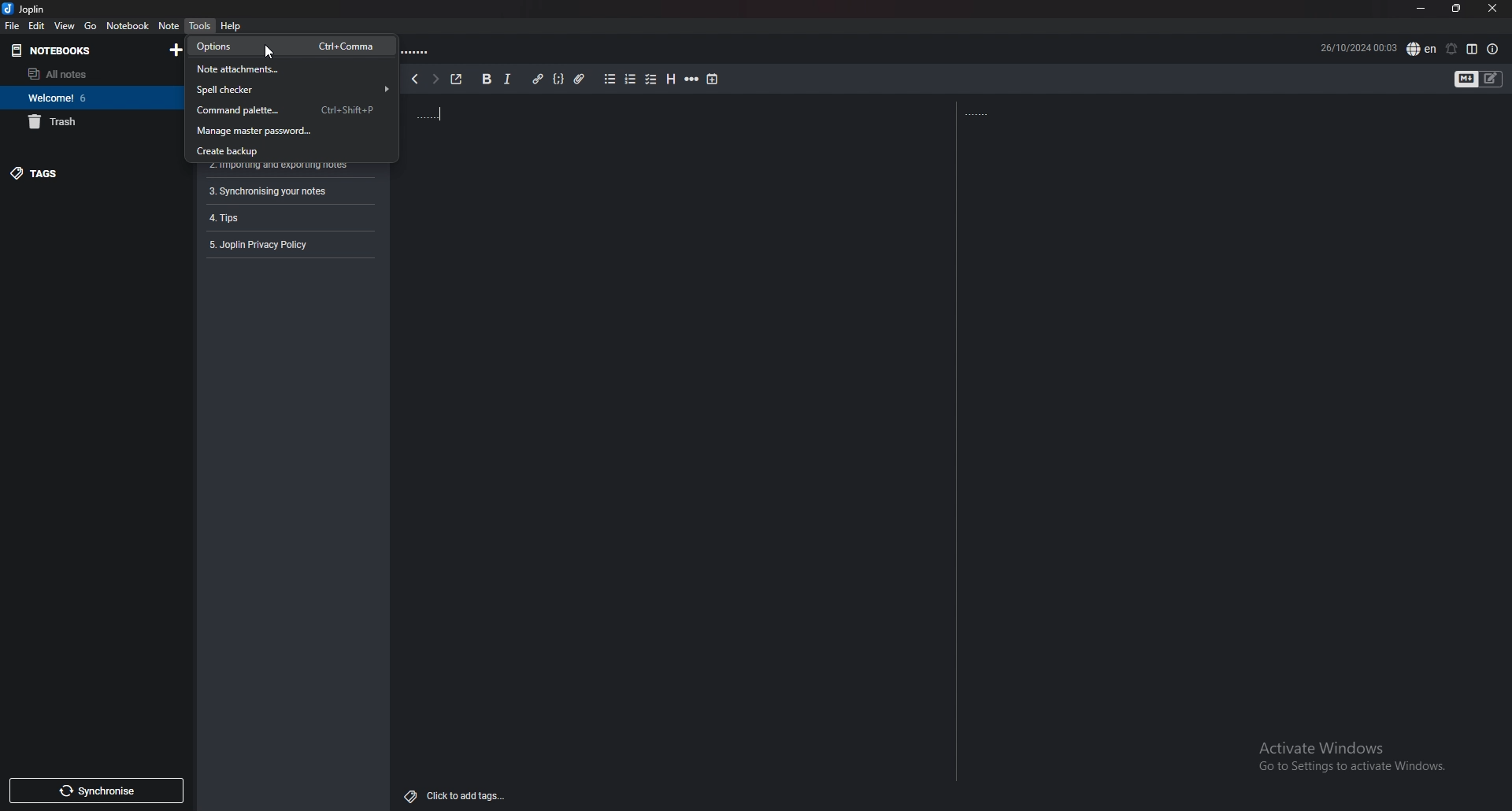 Image resolution: width=1512 pixels, height=811 pixels. I want to click on Command palette, so click(288, 111).